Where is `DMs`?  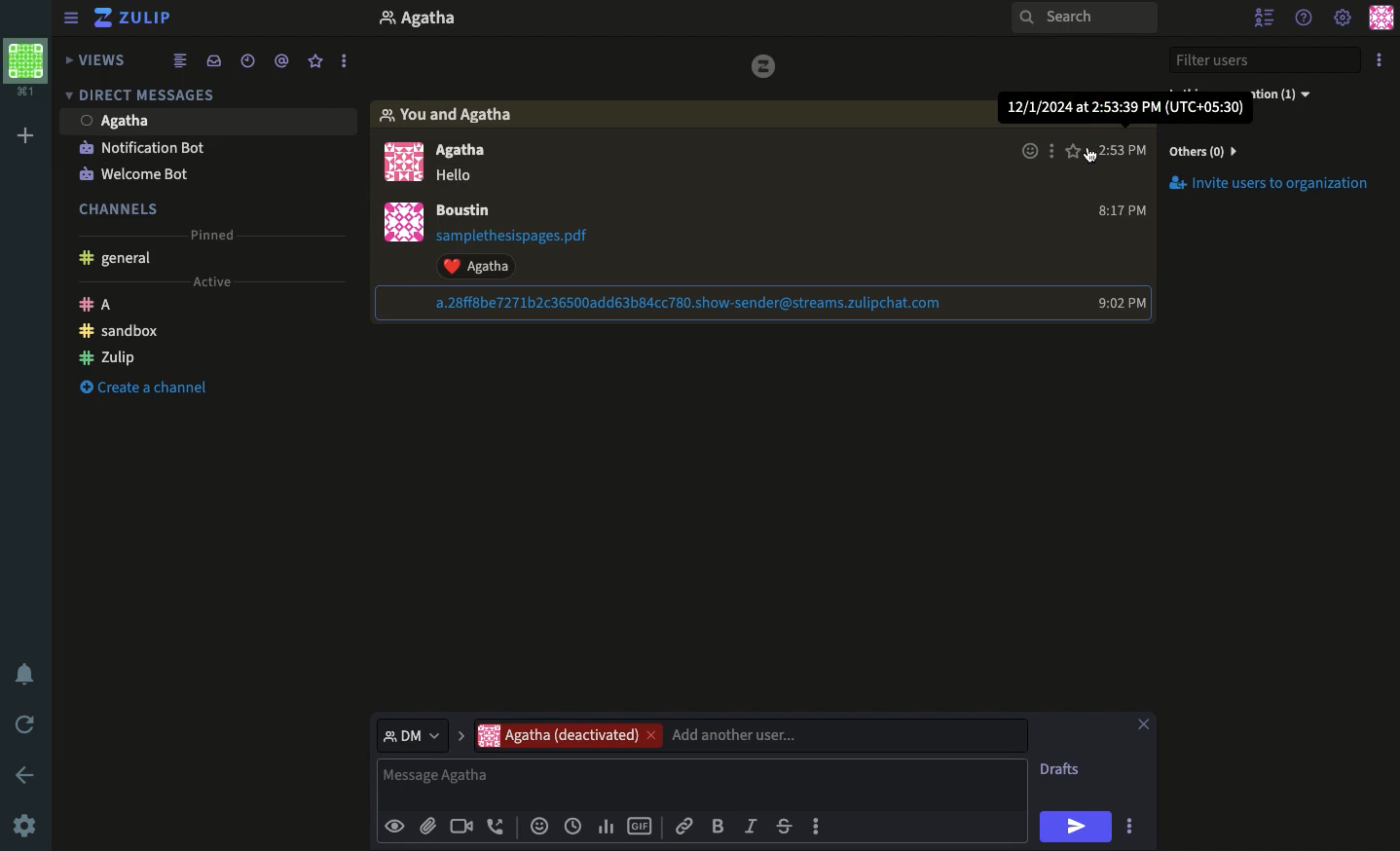
DMs is located at coordinates (140, 93).